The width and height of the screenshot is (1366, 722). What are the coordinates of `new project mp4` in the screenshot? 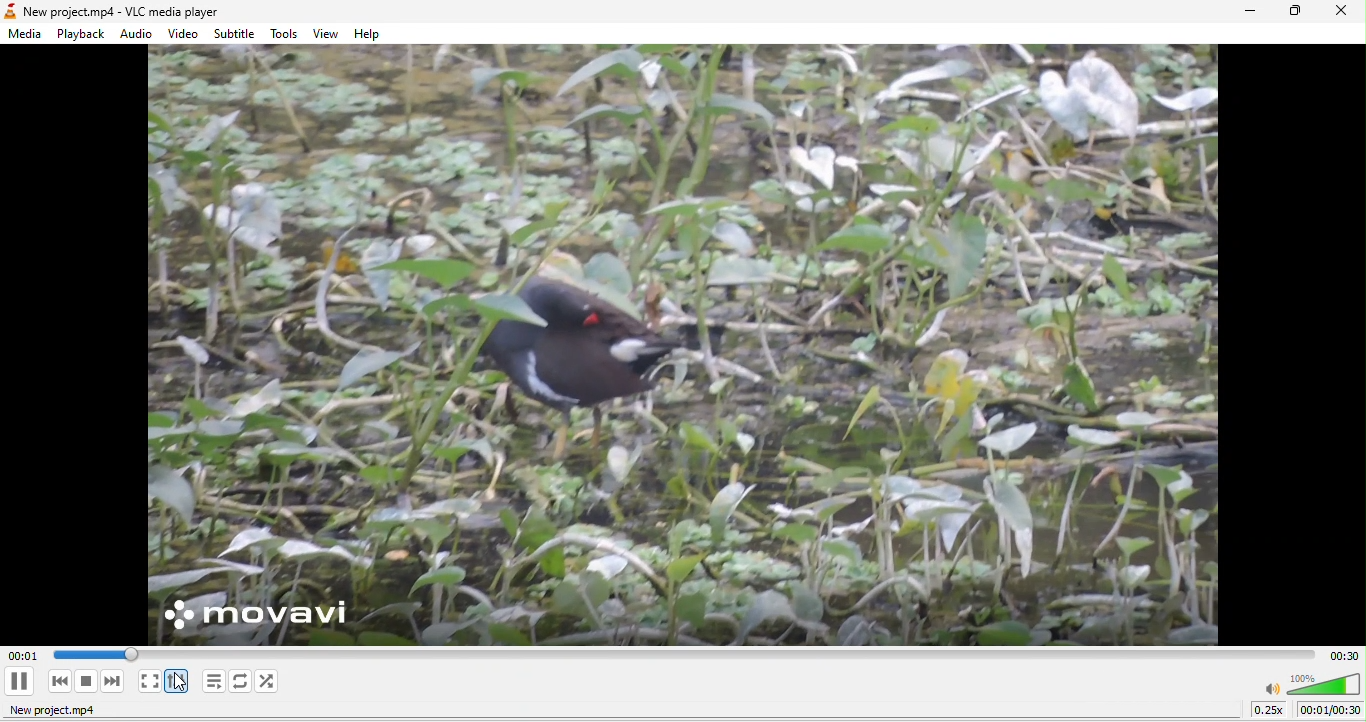 It's located at (51, 712).